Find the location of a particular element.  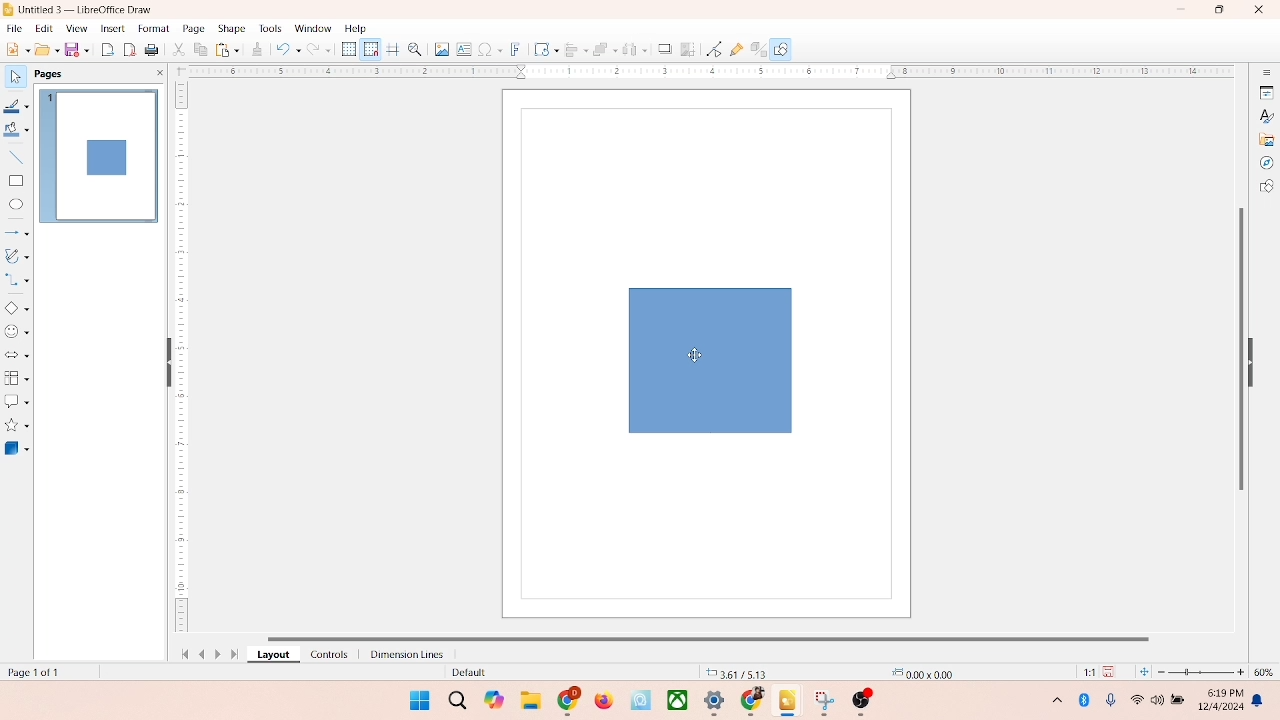

windows is located at coordinates (417, 700).